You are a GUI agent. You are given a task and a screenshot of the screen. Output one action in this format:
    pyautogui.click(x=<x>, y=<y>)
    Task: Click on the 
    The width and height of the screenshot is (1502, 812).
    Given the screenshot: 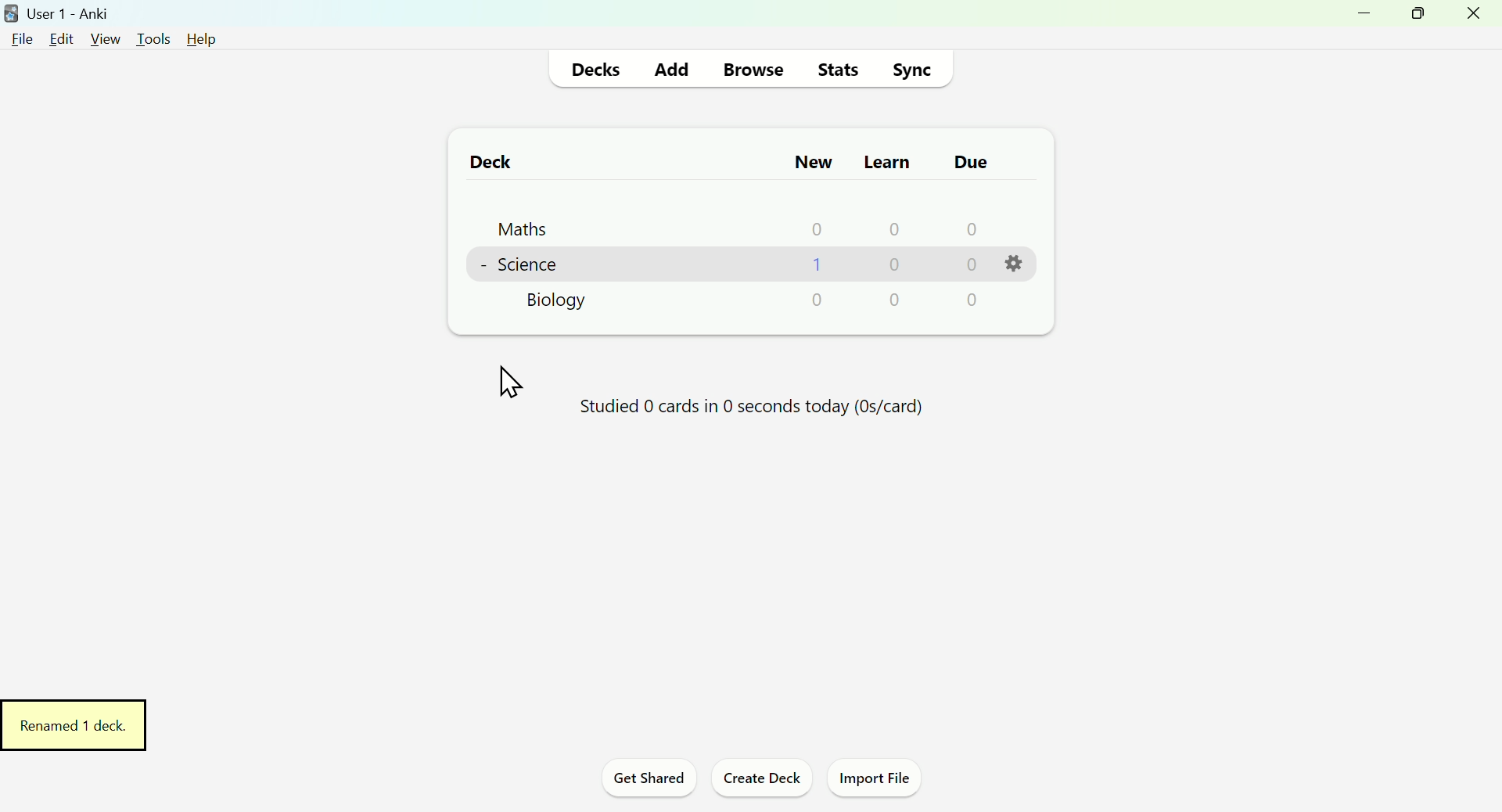 What is the action you would take?
    pyautogui.click(x=1418, y=16)
    